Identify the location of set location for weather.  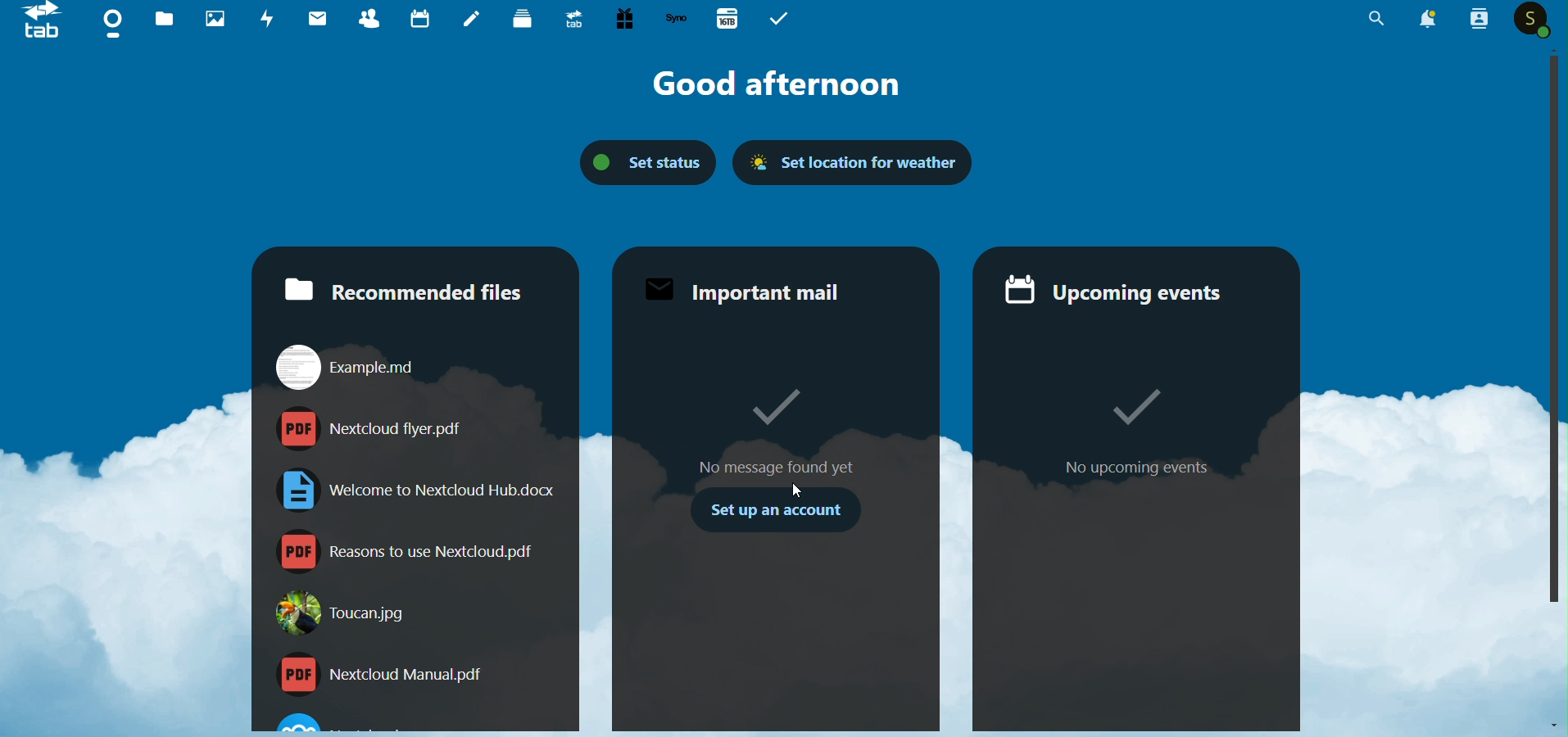
(851, 164).